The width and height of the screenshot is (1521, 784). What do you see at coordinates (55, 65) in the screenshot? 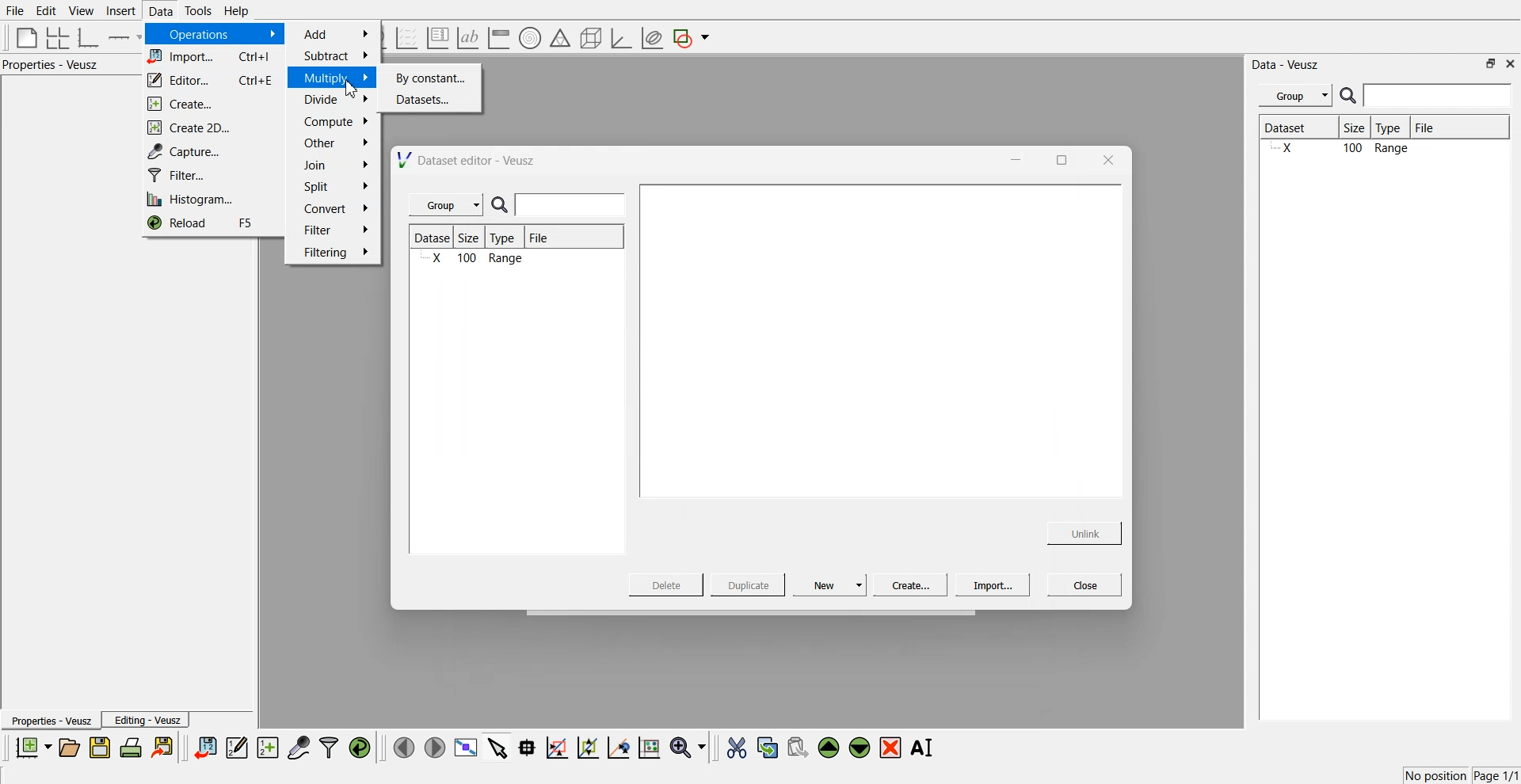
I see `Properties - Veusz` at bounding box center [55, 65].